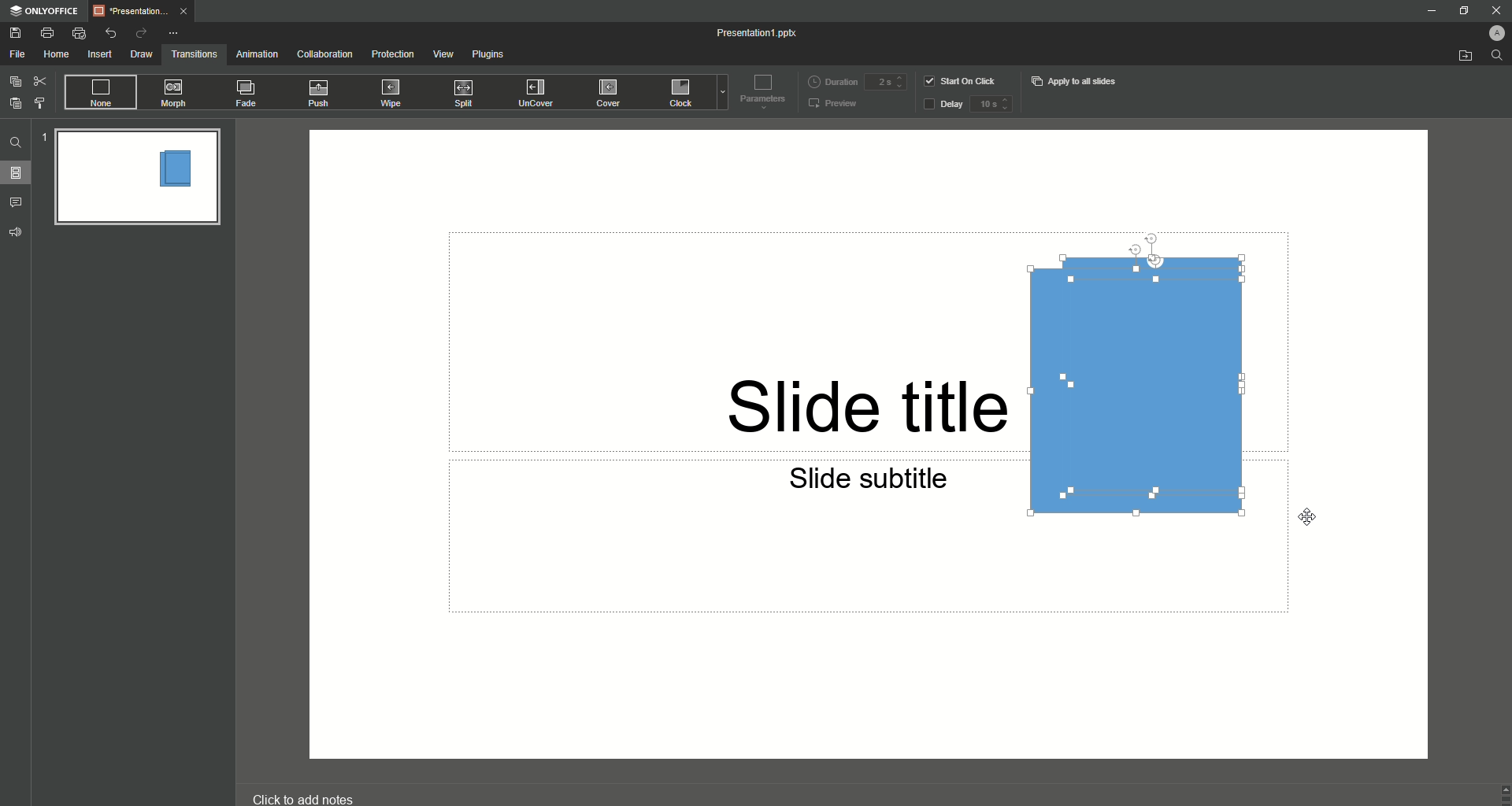  I want to click on Profile, so click(1489, 31).